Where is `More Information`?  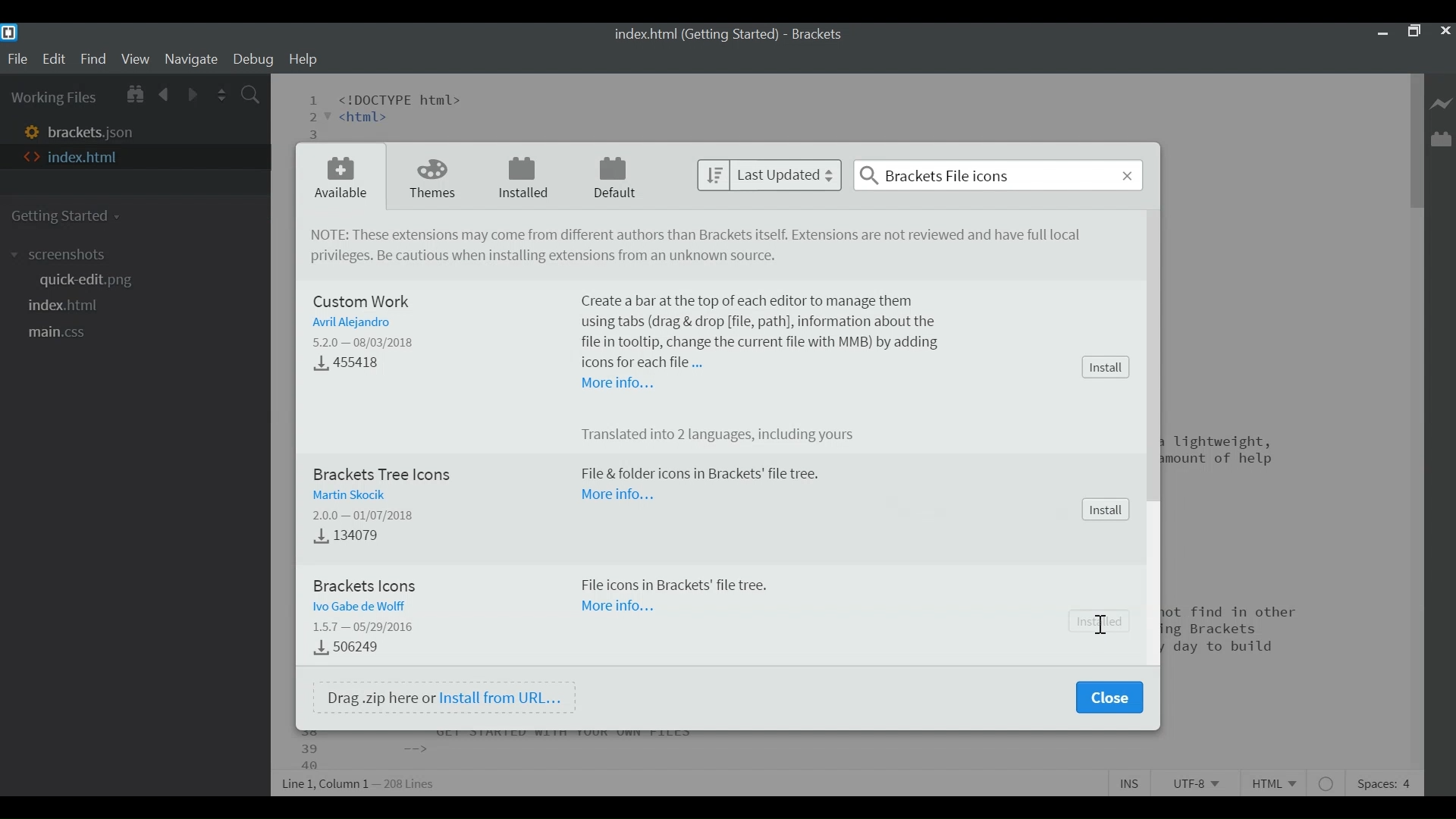
More Information is located at coordinates (617, 494).